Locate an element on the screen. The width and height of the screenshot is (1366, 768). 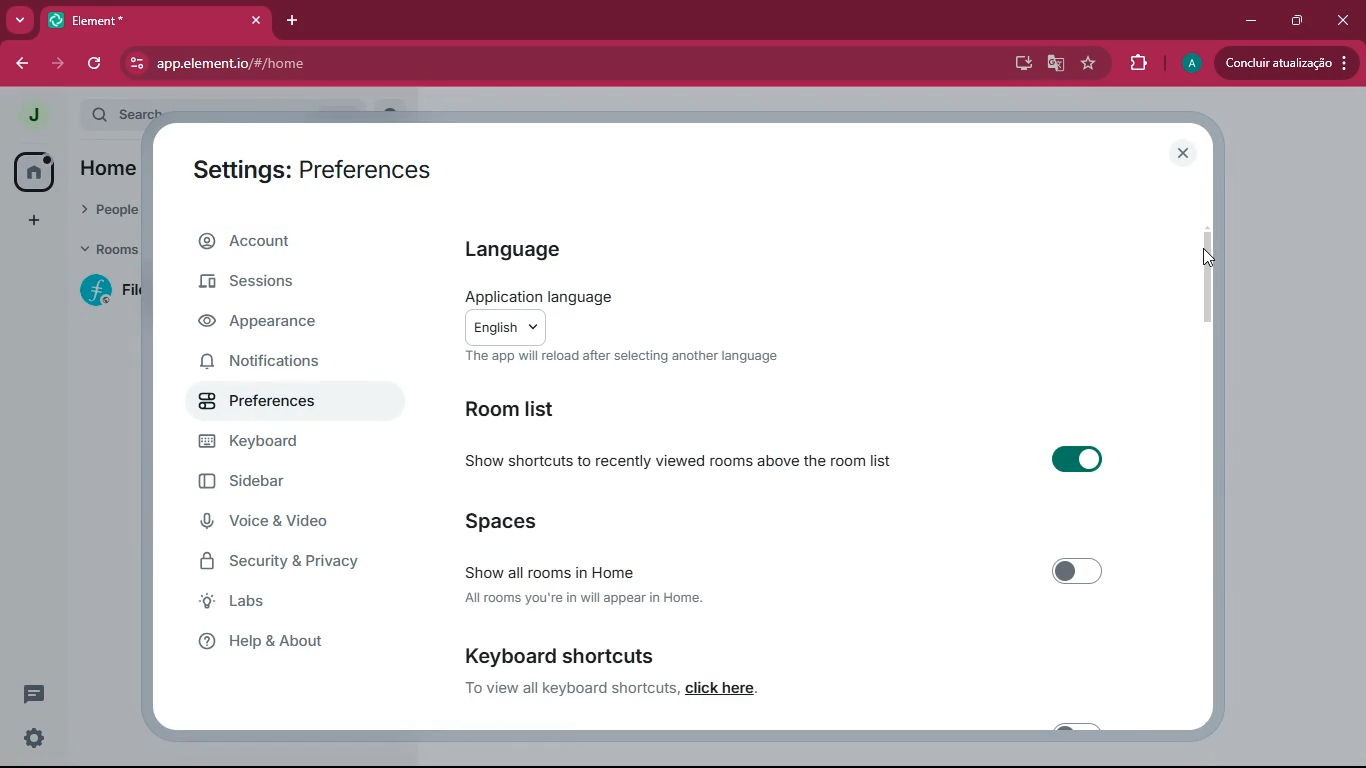
scroll bar  is located at coordinates (1209, 271).